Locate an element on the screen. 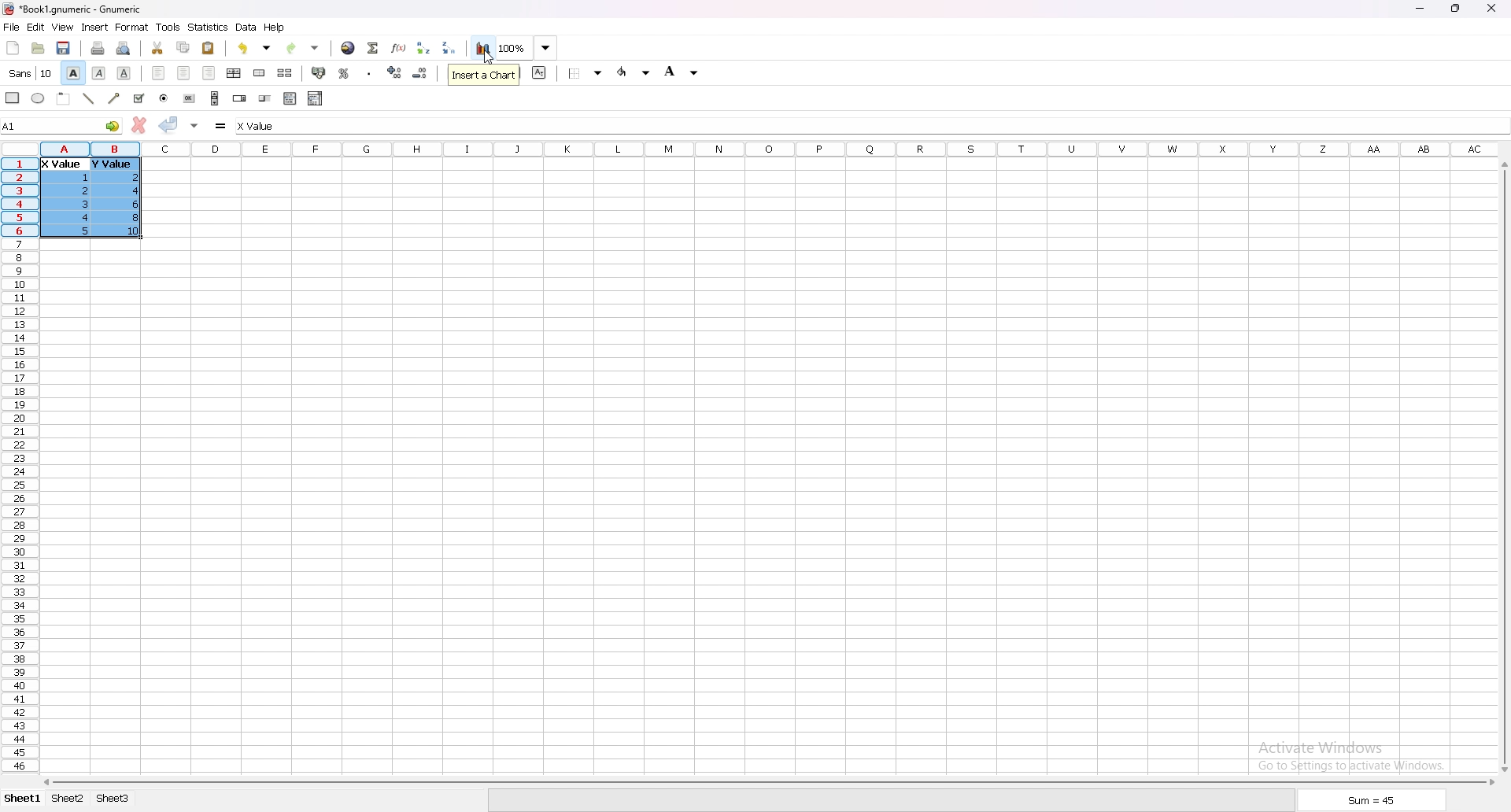  print preview is located at coordinates (124, 48).